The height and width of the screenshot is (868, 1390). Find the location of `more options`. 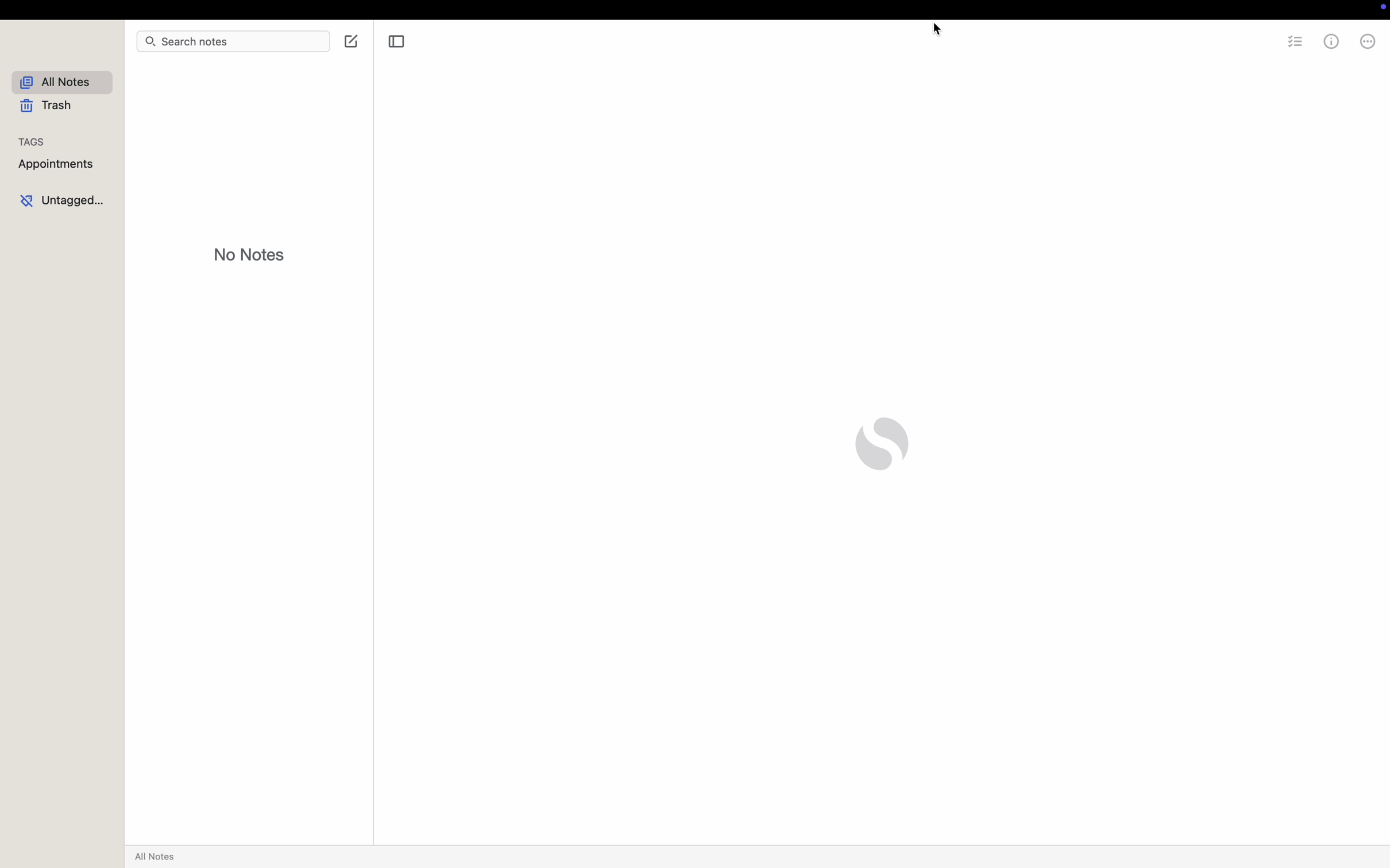

more options is located at coordinates (1366, 44).